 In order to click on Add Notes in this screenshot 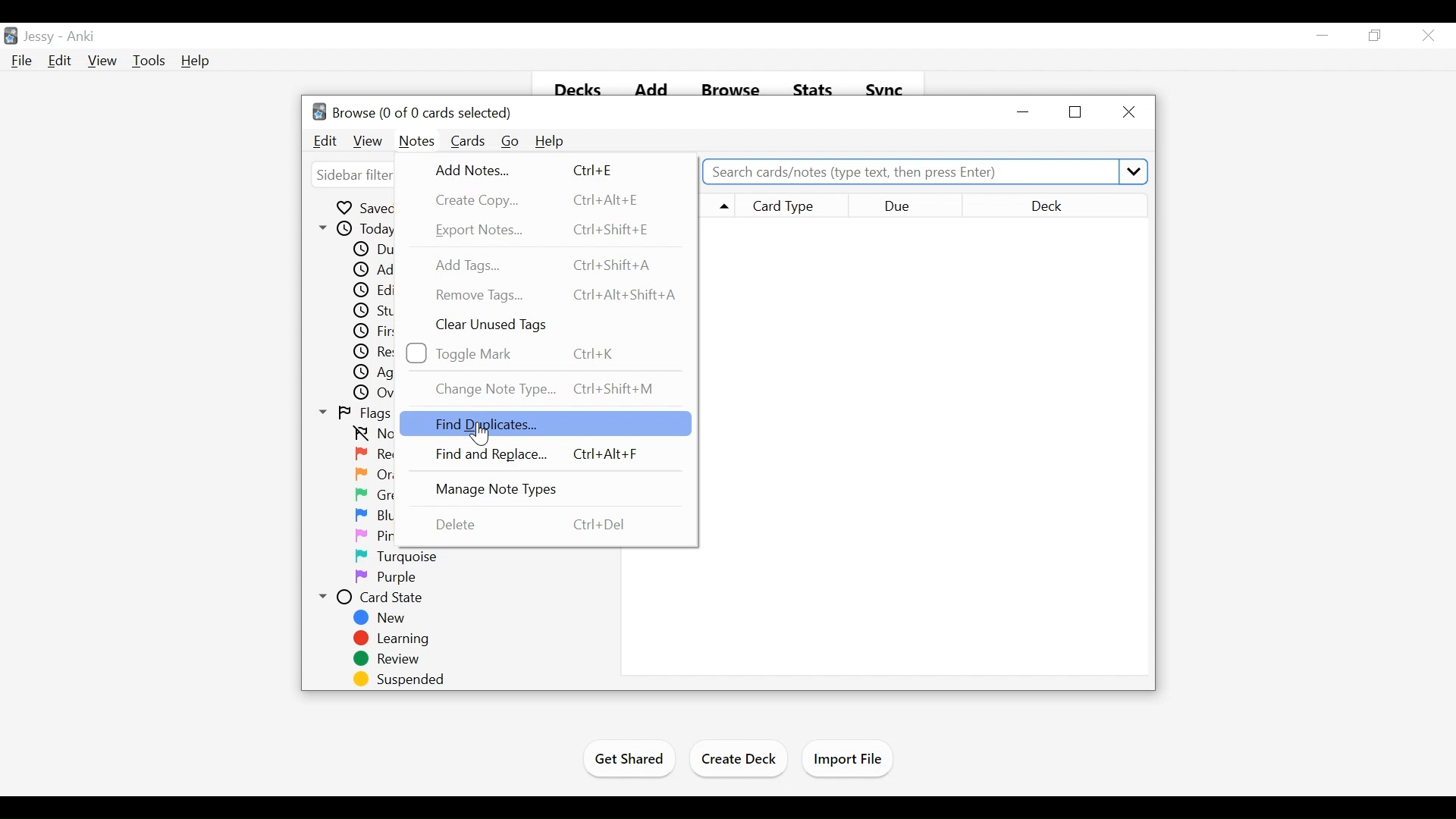, I will do `click(532, 171)`.